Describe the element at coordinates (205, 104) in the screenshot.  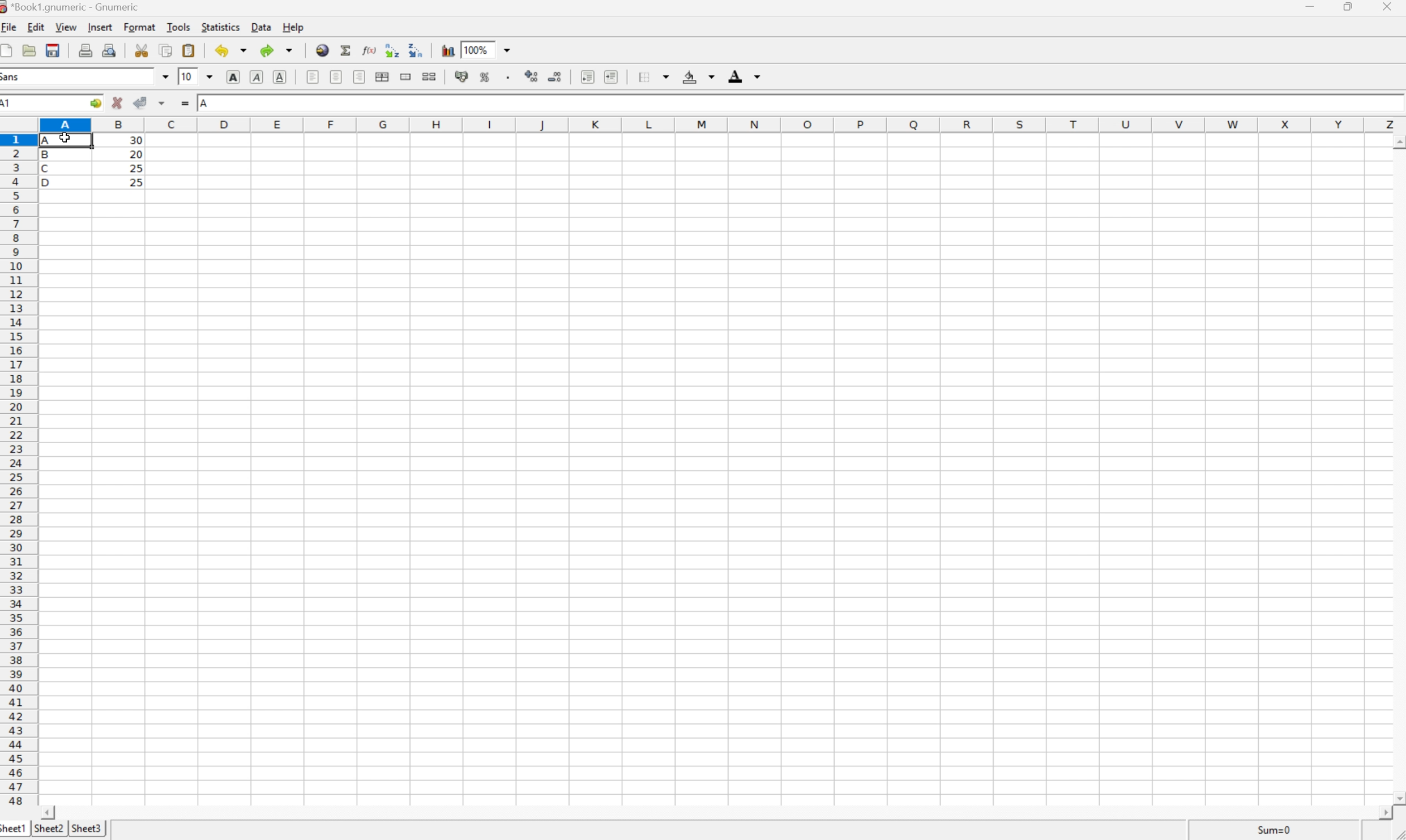
I see `A` at that location.